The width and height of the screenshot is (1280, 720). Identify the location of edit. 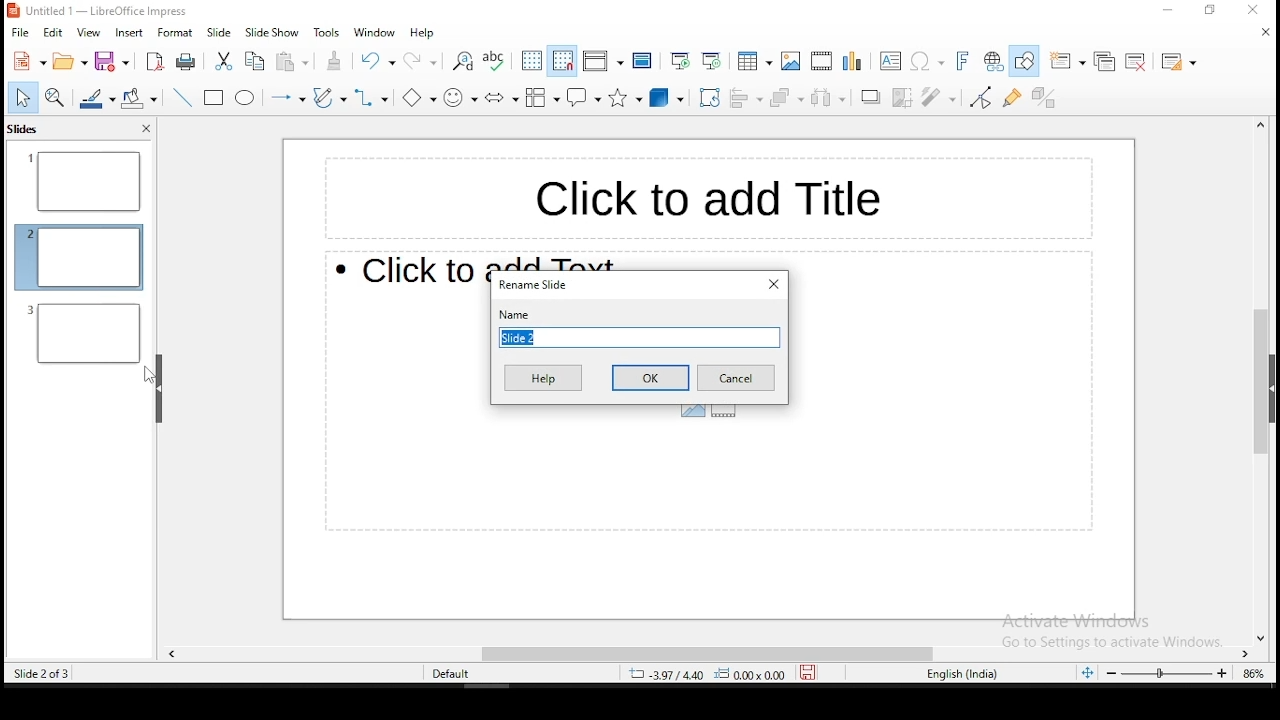
(53, 35).